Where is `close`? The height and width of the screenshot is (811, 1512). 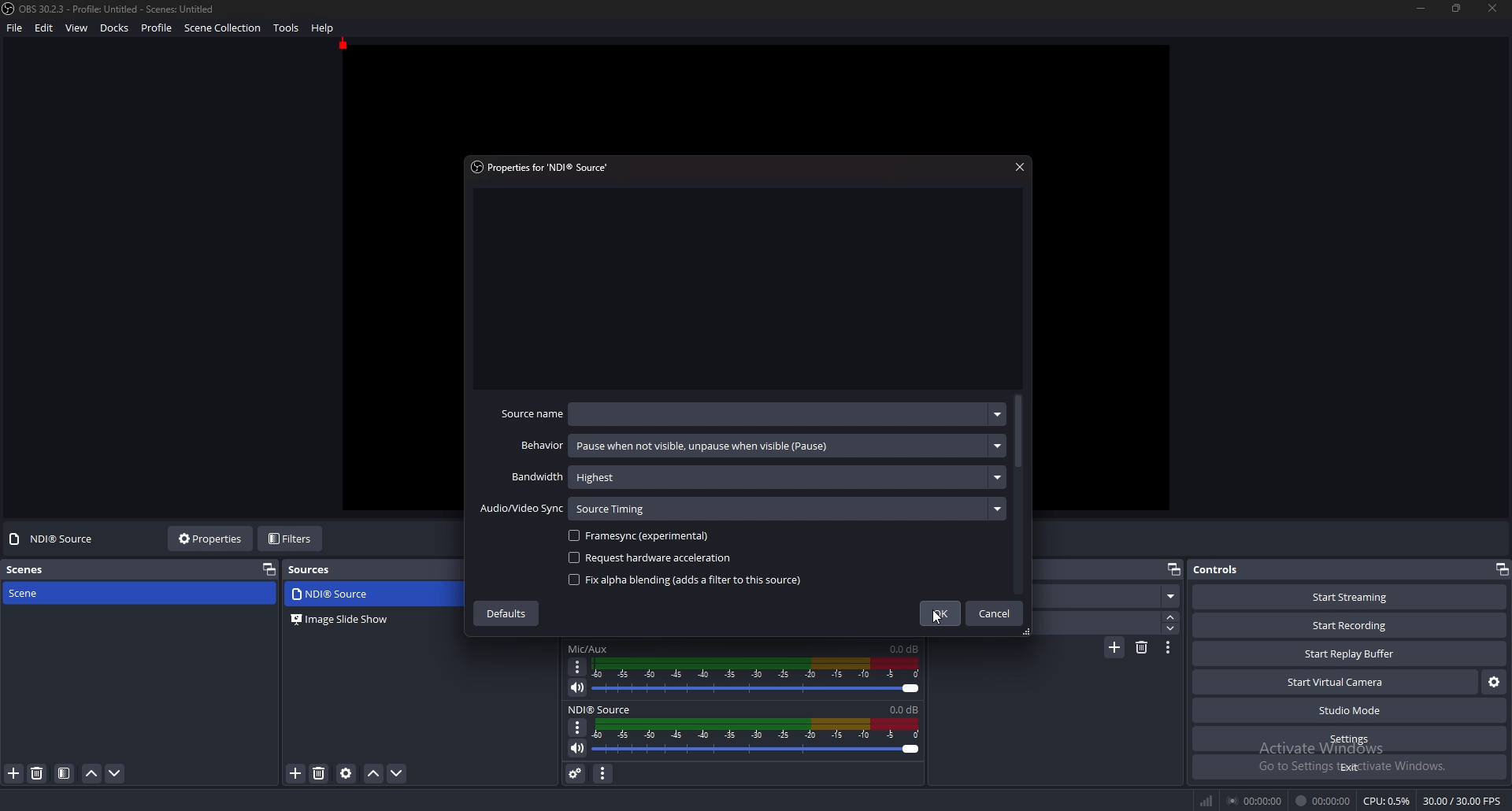 close is located at coordinates (1493, 9).